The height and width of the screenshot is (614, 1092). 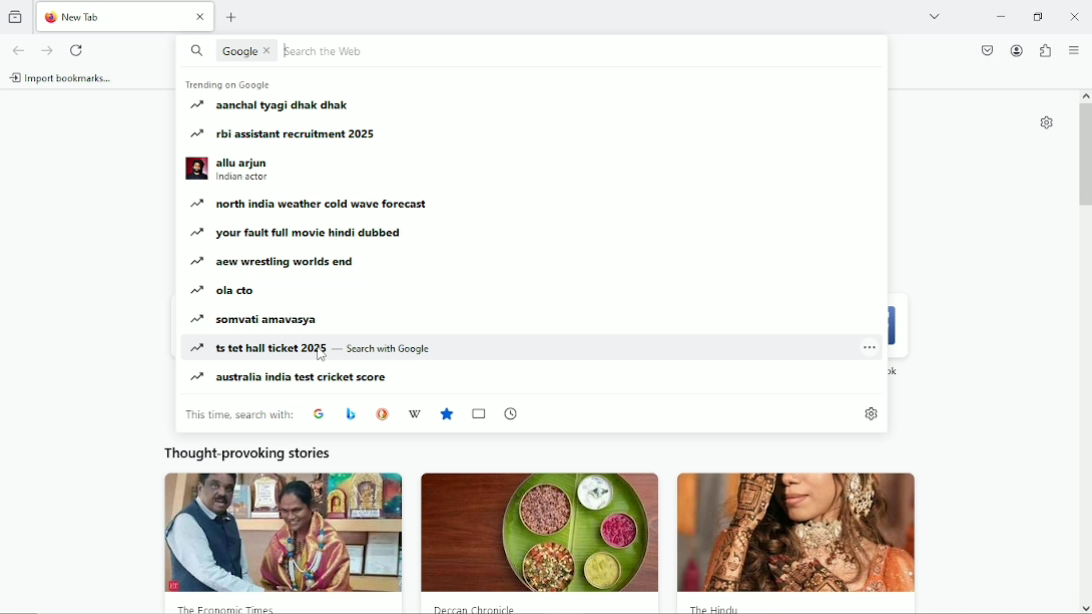 I want to click on fire fox logo, so click(x=51, y=19).